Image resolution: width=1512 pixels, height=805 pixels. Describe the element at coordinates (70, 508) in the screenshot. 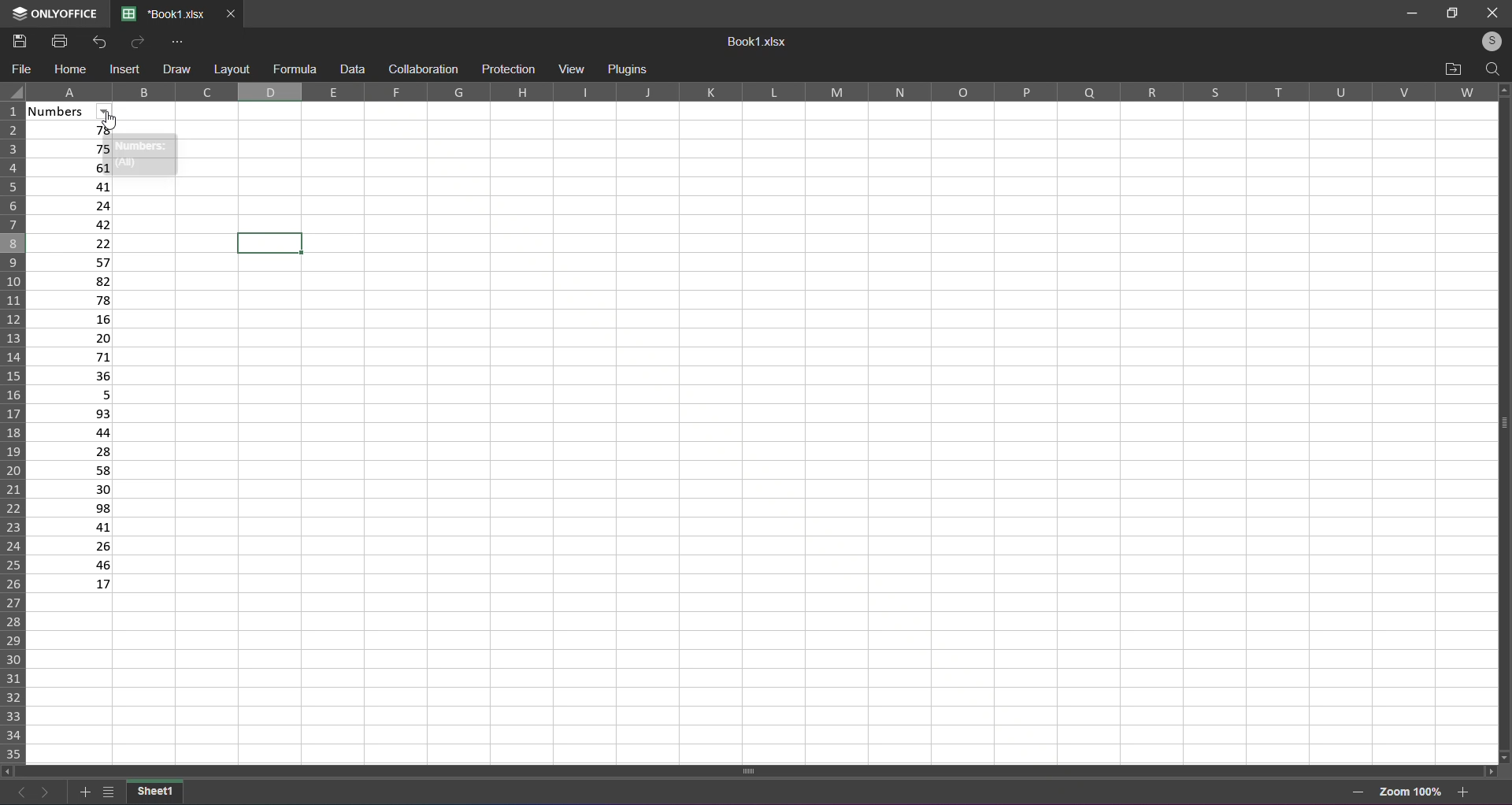

I see `98` at that location.